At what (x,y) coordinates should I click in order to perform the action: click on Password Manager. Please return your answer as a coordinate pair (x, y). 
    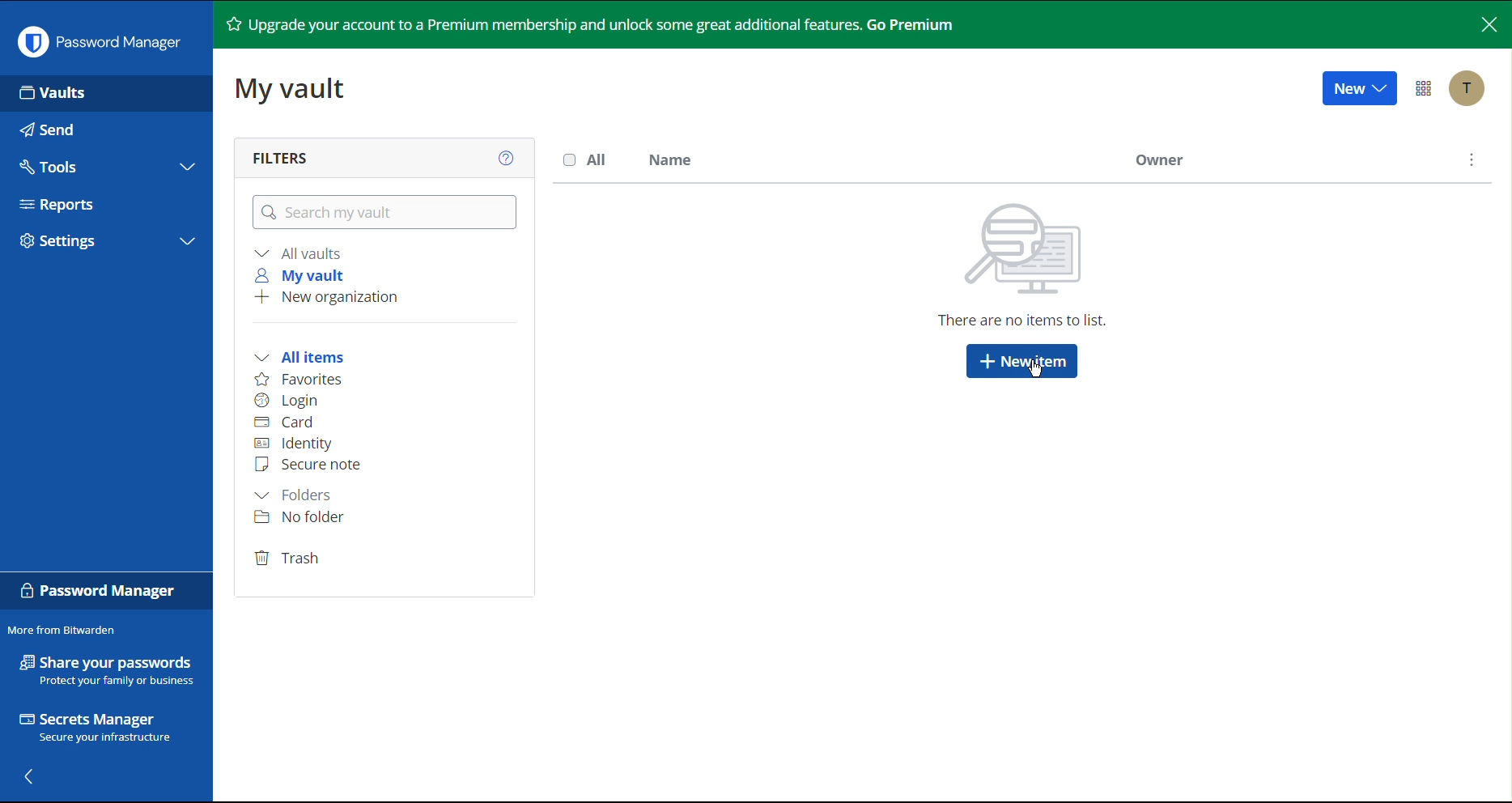
    Looking at the image, I should click on (96, 41).